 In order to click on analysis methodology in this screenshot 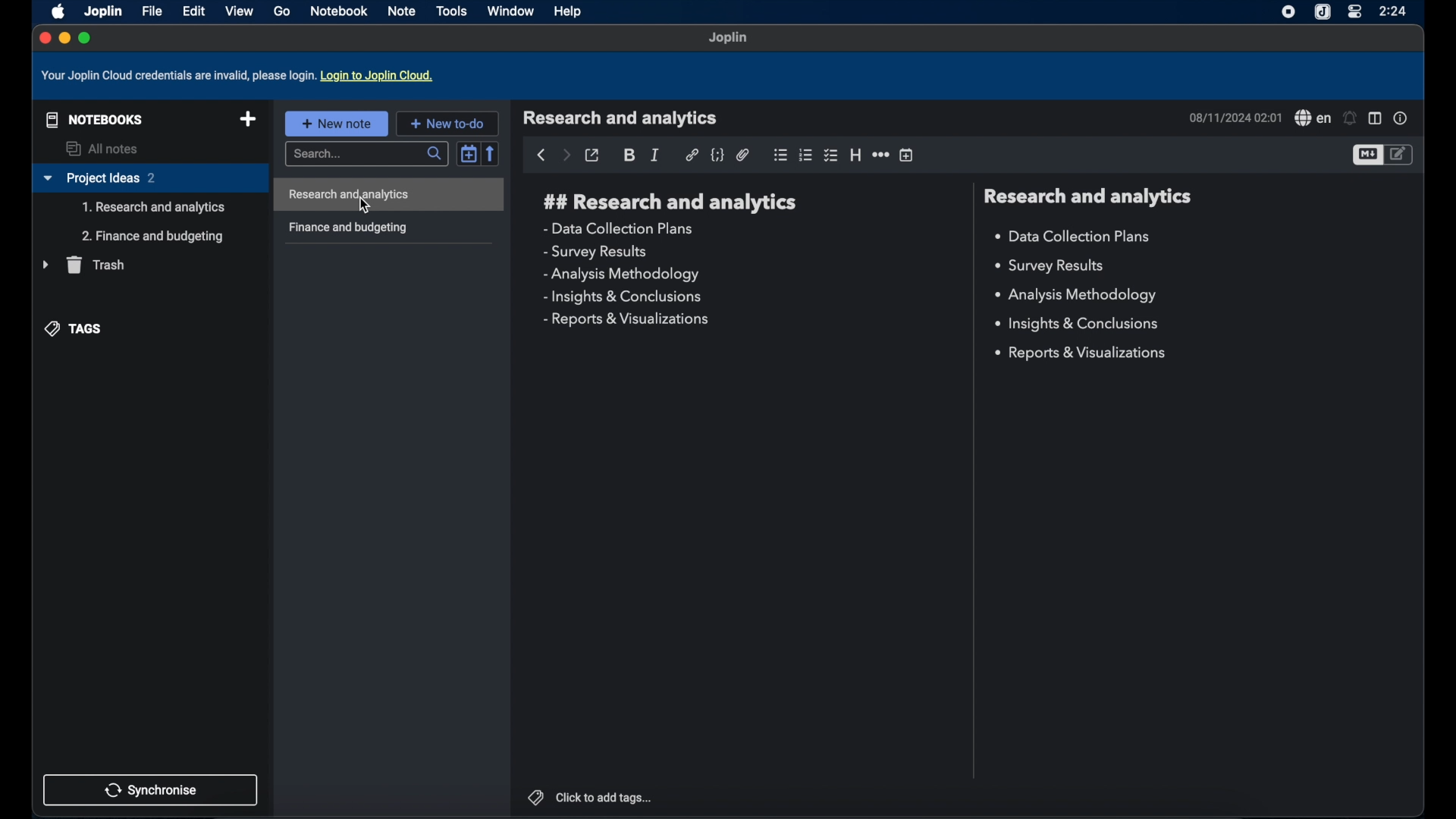, I will do `click(620, 275)`.